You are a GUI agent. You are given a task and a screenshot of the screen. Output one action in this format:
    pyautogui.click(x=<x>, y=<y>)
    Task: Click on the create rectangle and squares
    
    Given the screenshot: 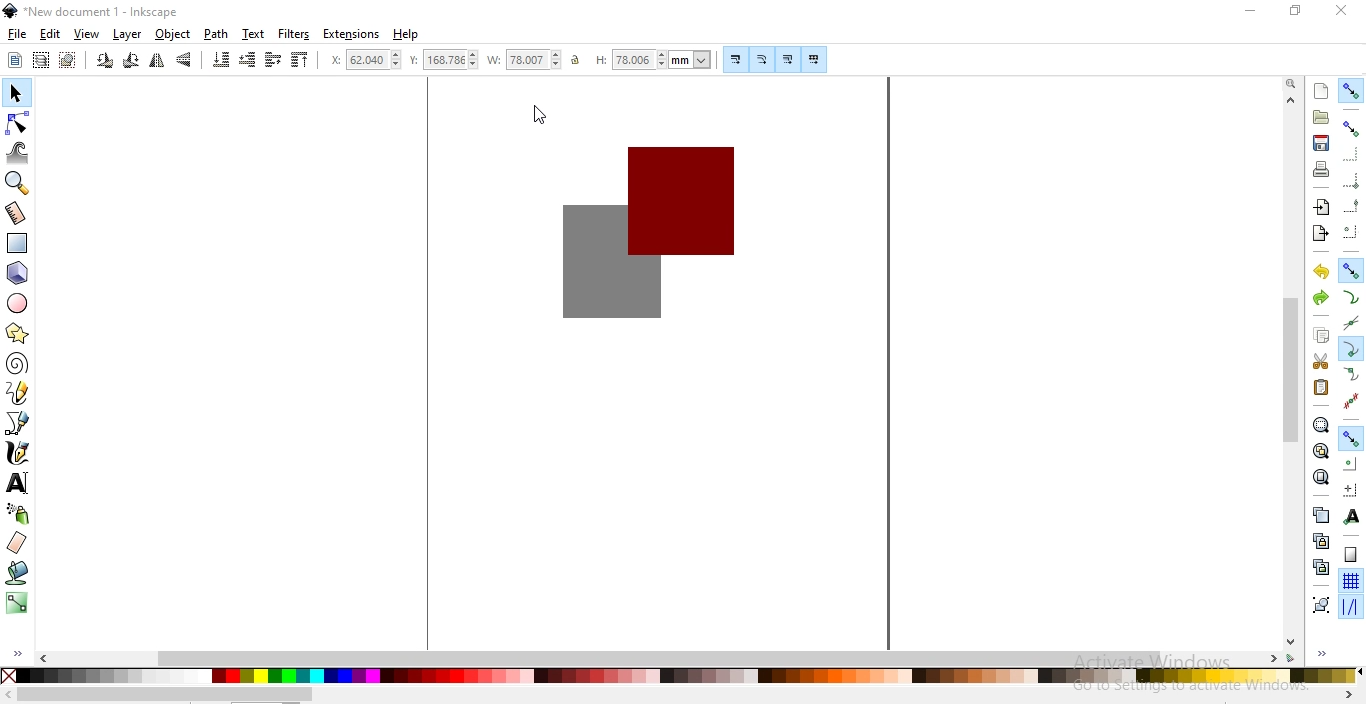 What is the action you would take?
    pyautogui.click(x=18, y=243)
    